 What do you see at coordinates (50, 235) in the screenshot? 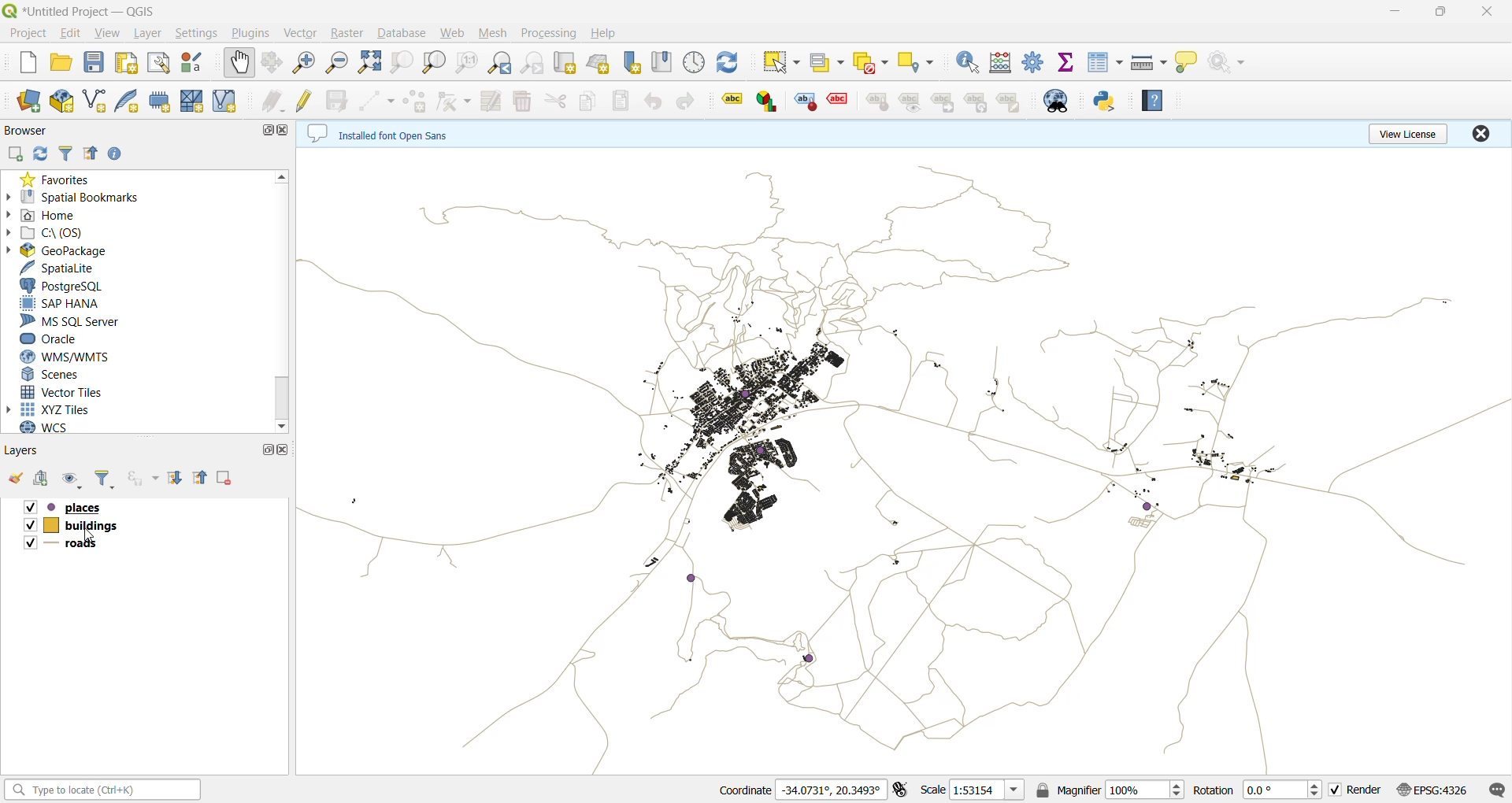
I see `c\:os` at bounding box center [50, 235].